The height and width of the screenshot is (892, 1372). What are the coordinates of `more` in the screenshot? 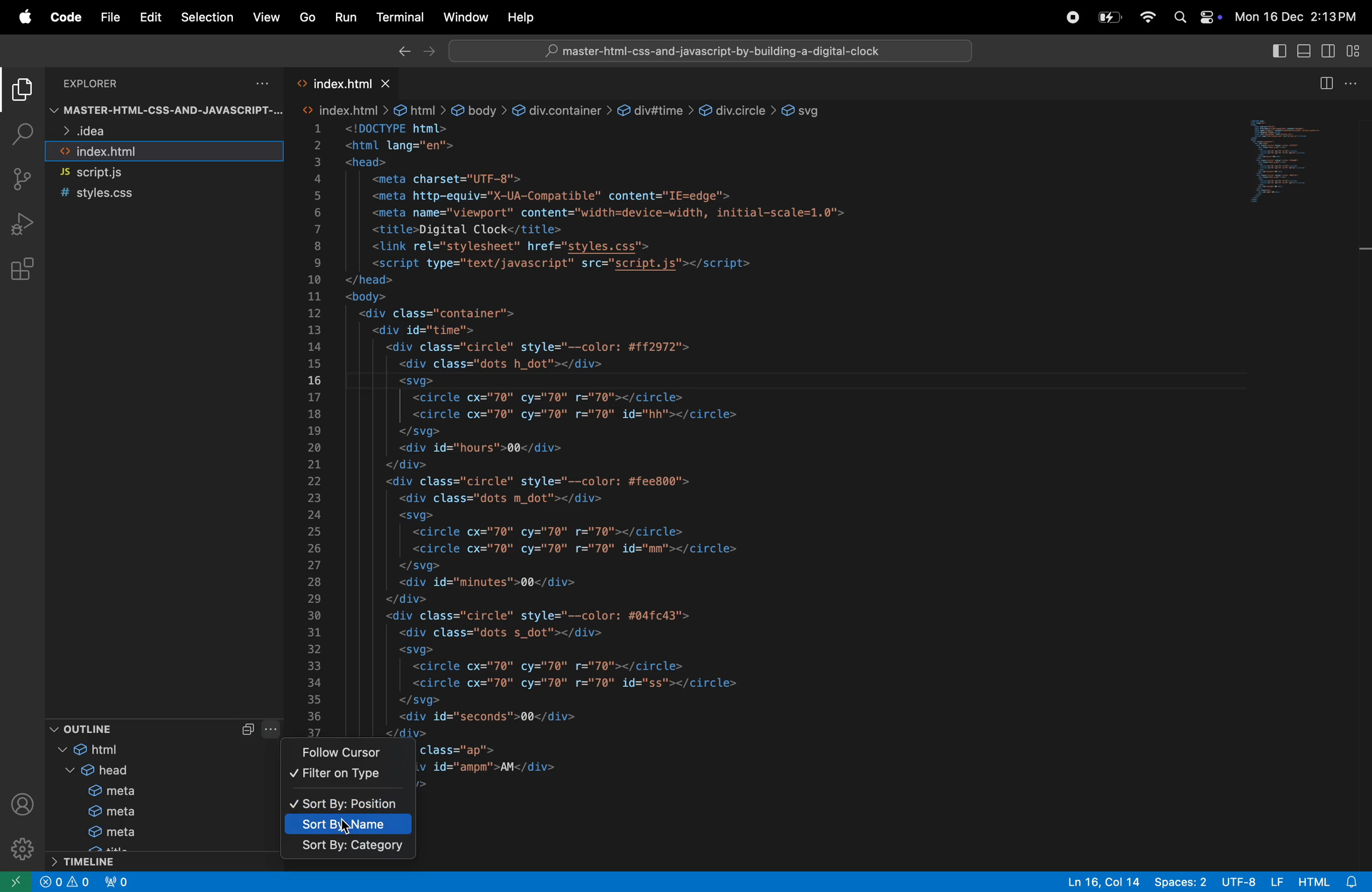 It's located at (273, 729).